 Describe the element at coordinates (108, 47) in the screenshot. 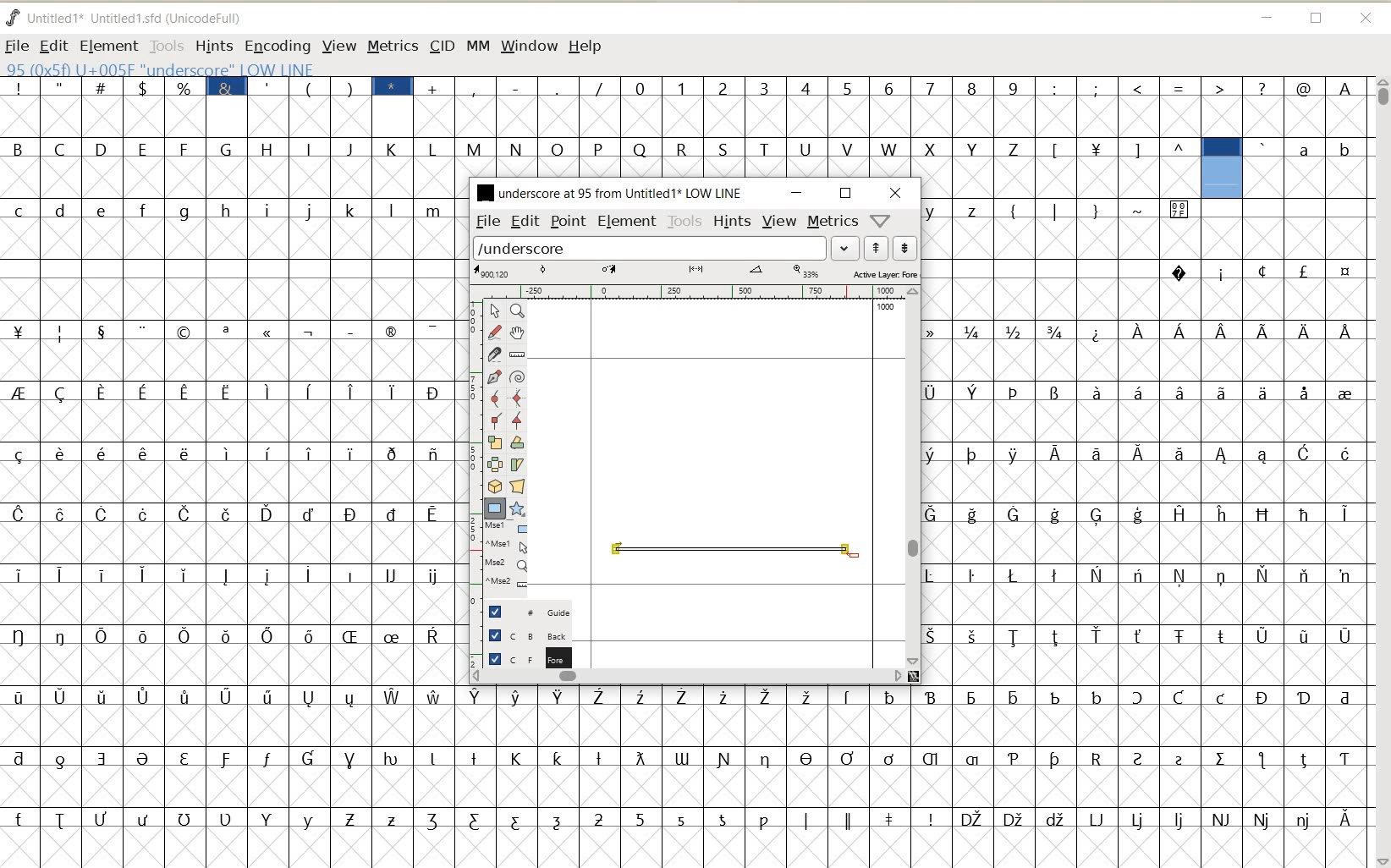

I see `ELEMENT` at that location.